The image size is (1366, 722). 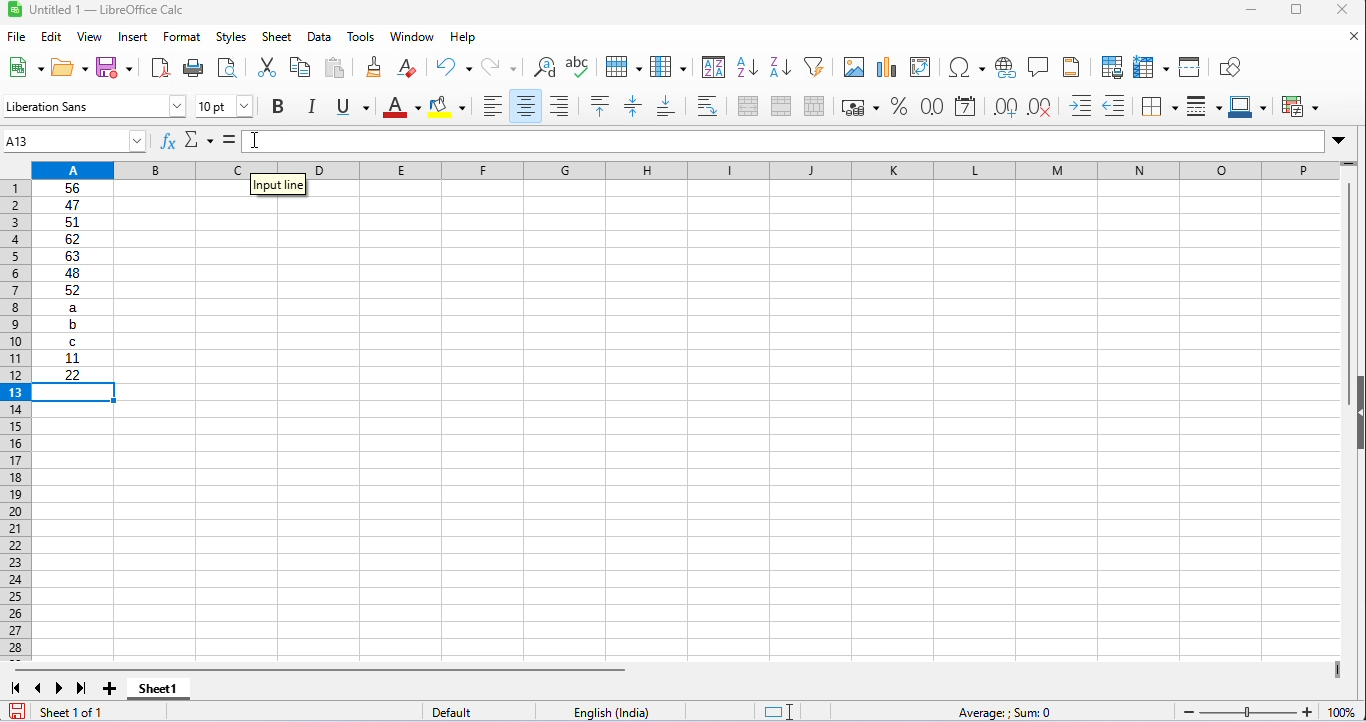 What do you see at coordinates (231, 38) in the screenshot?
I see `` at bounding box center [231, 38].